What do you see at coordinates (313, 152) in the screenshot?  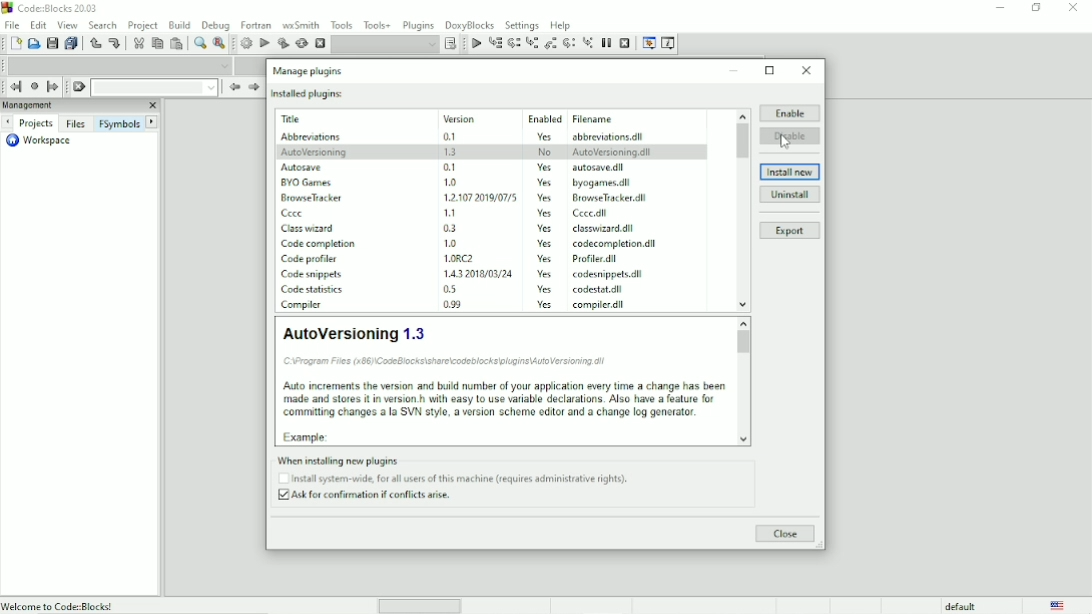 I see `AutoVersioning` at bounding box center [313, 152].